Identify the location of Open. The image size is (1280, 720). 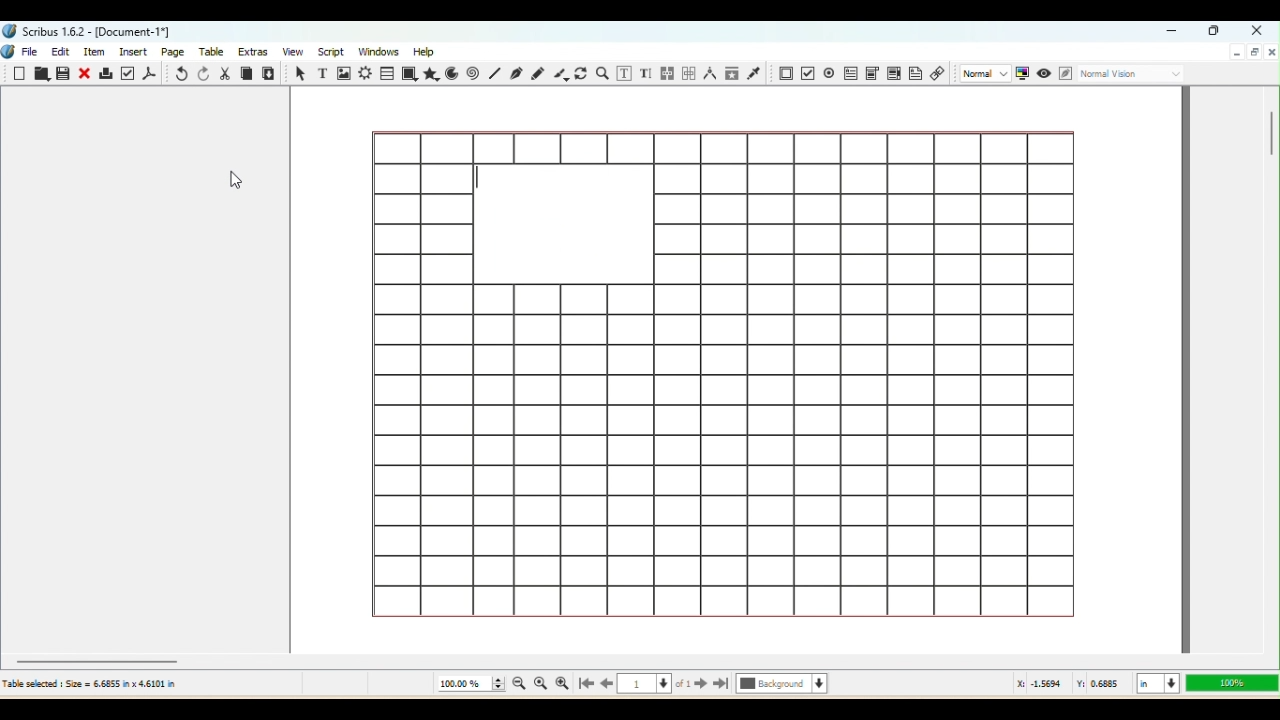
(41, 75).